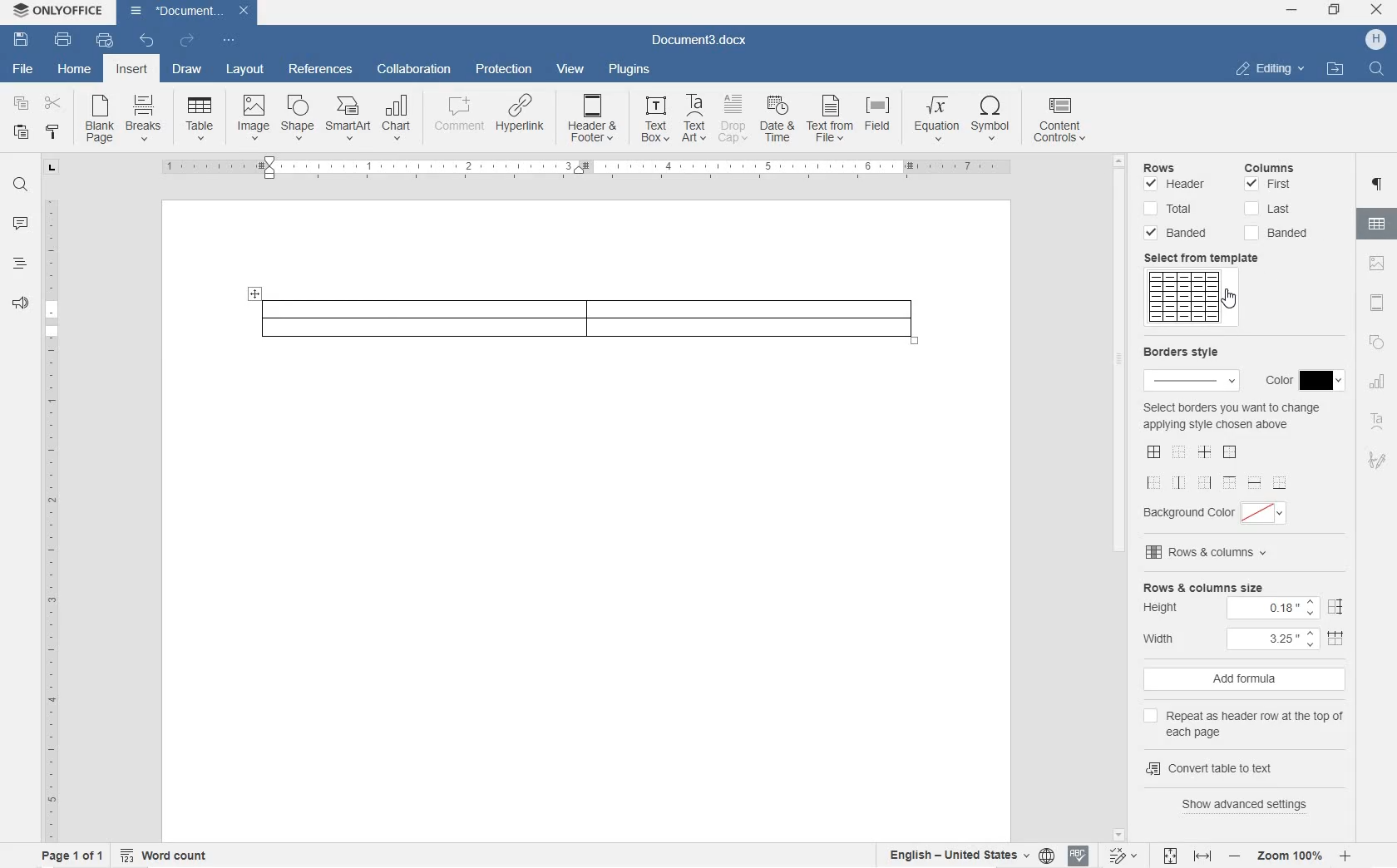 The image size is (1397, 868). I want to click on Breaks, so click(144, 117).